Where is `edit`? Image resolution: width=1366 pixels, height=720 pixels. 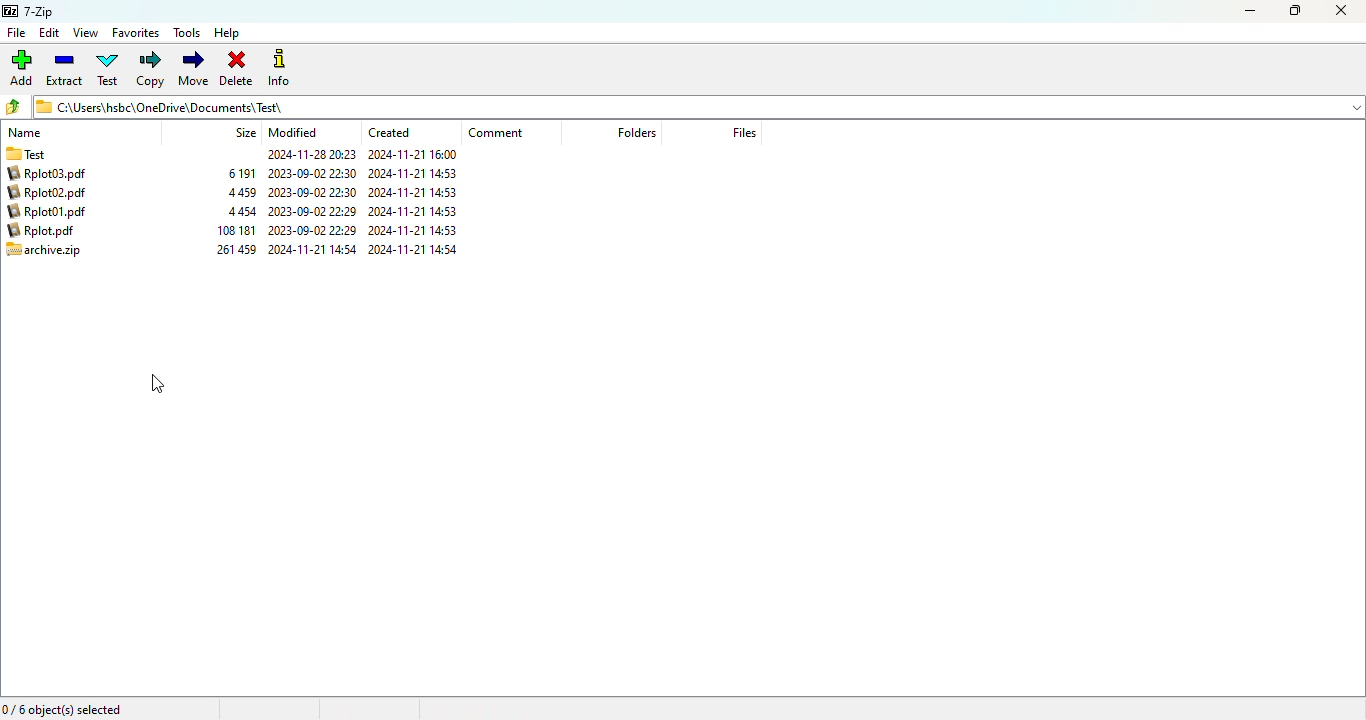
edit is located at coordinates (50, 33).